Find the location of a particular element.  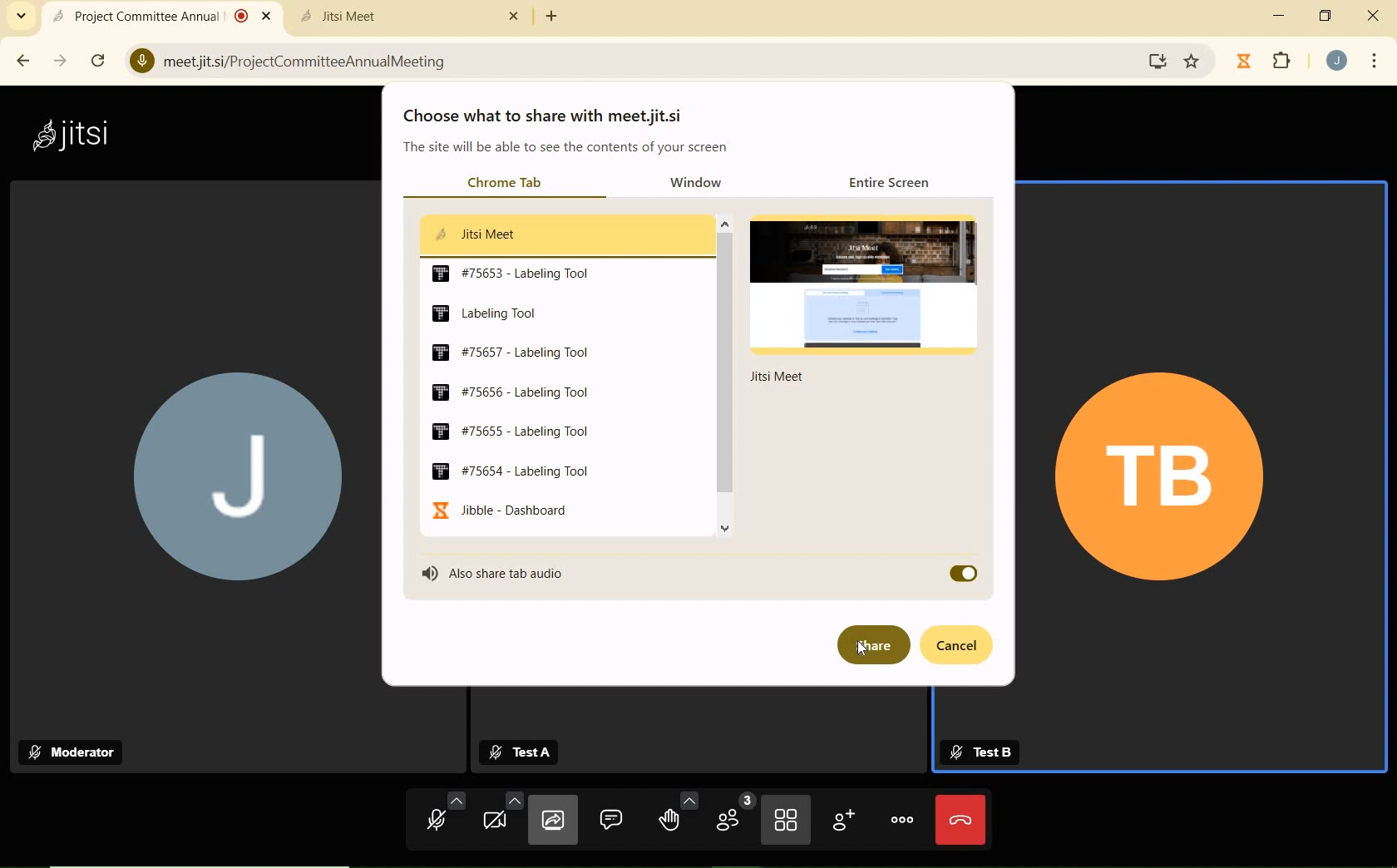

open chat is located at coordinates (613, 819).